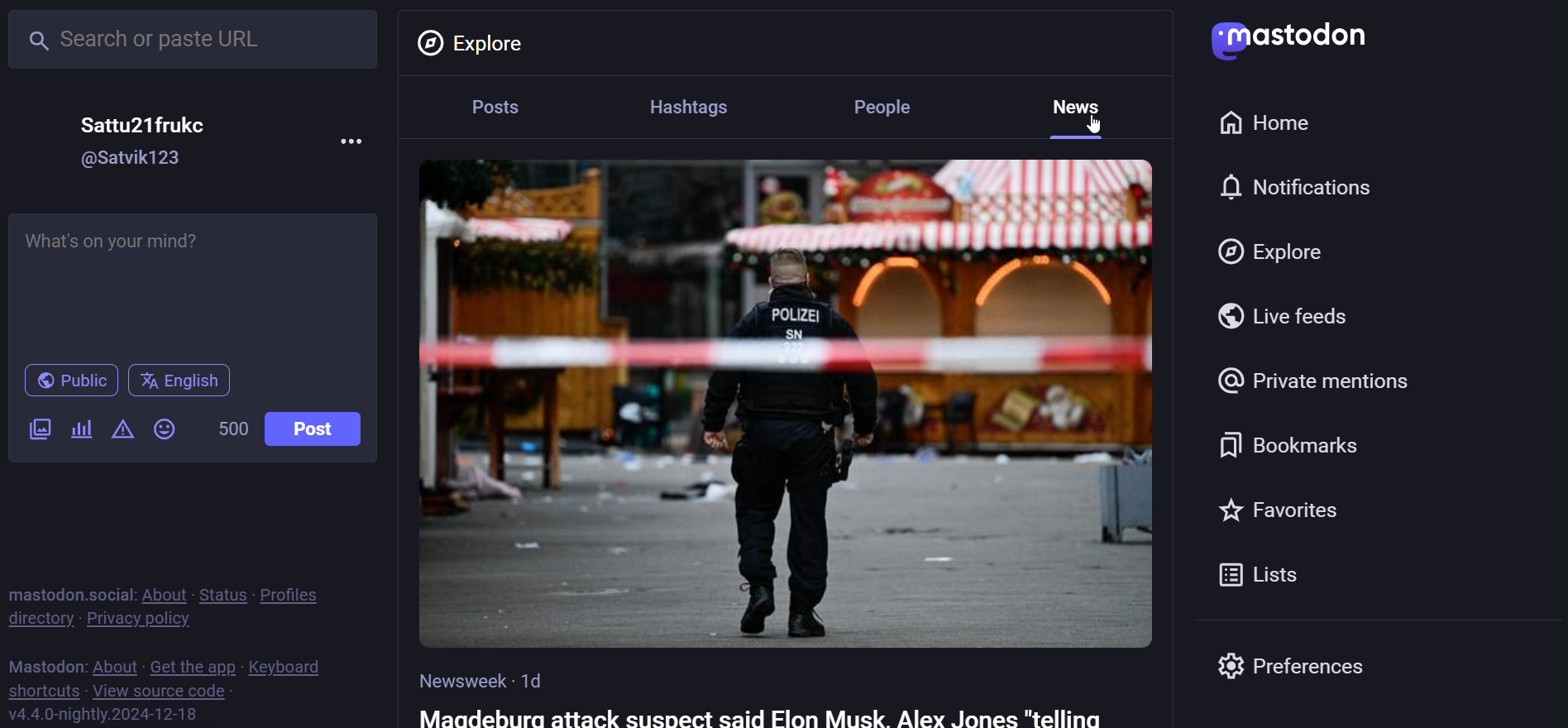  What do you see at coordinates (1260, 574) in the screenshot?
I see `list` at bounding box center [1260, 574].